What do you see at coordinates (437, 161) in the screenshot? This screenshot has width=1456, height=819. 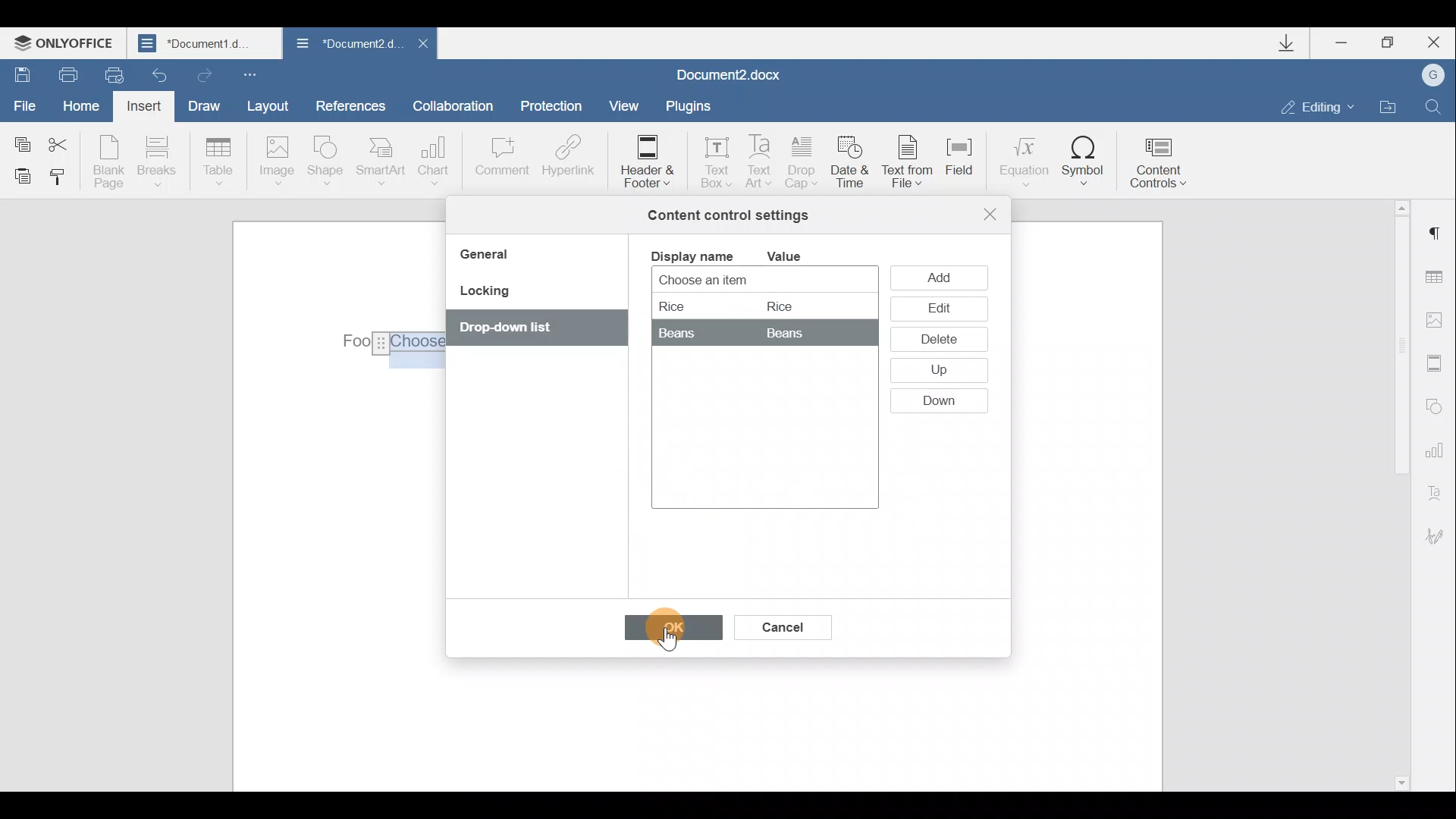 I see `Chart` at bounding box center [437, 161].